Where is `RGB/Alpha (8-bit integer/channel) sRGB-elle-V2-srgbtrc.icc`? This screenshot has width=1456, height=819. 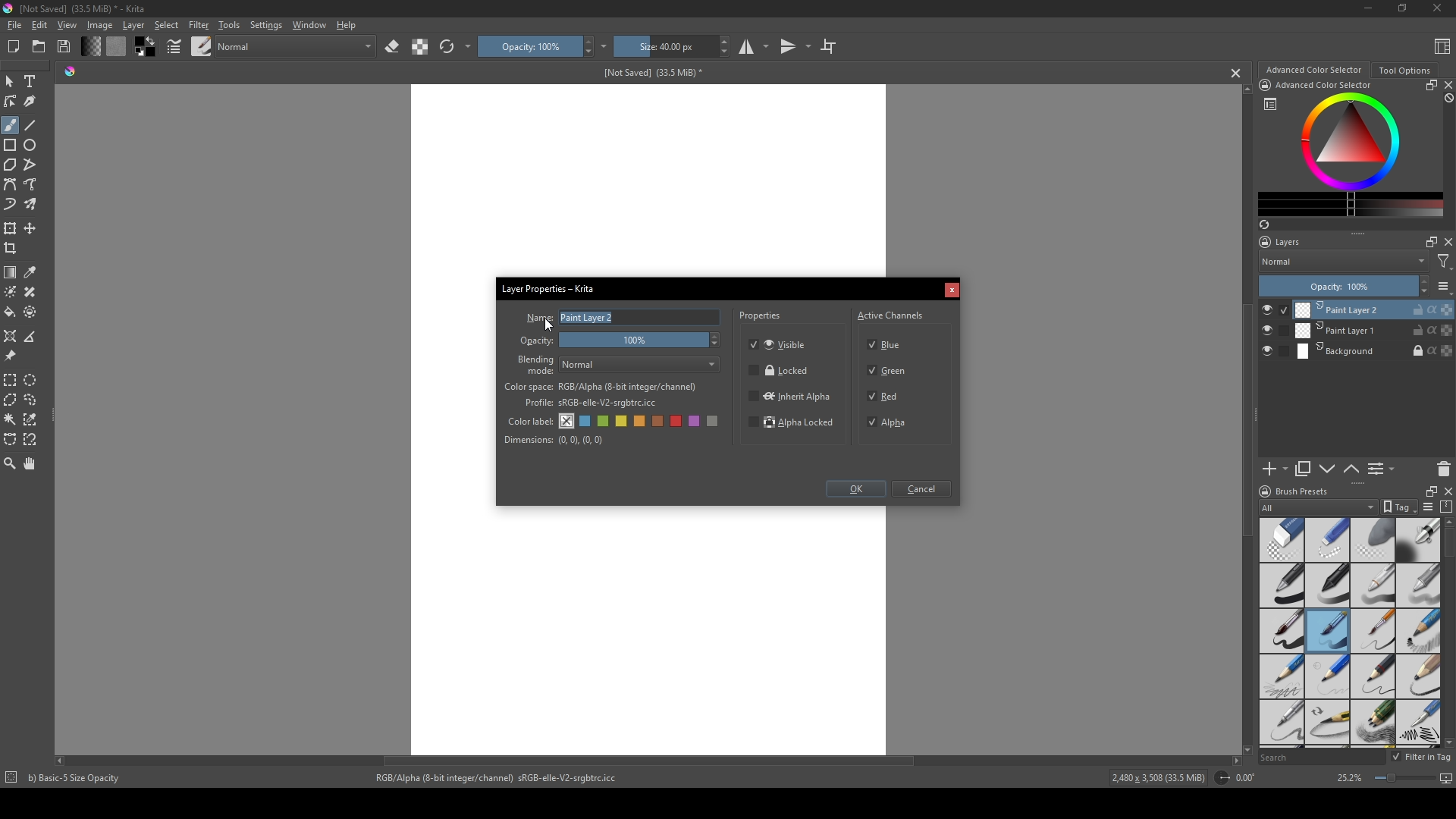 RGB/Alpha (8-bit integer/channel) sRGB-elle-V2-srgbtrc.icc is located at coordinates (503, 778).